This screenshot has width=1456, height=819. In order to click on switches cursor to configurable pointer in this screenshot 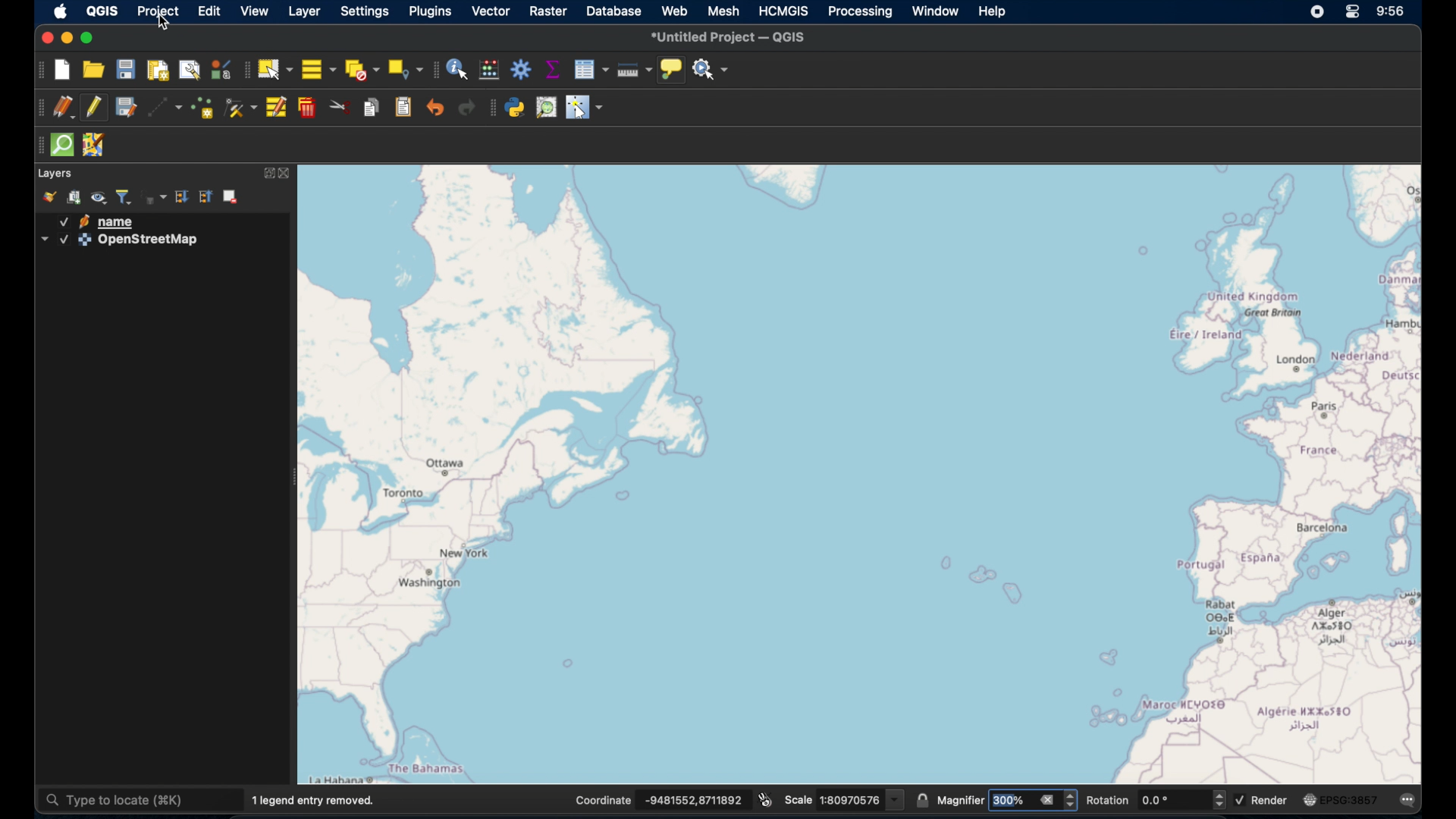, I will do `click(586, 109)`.